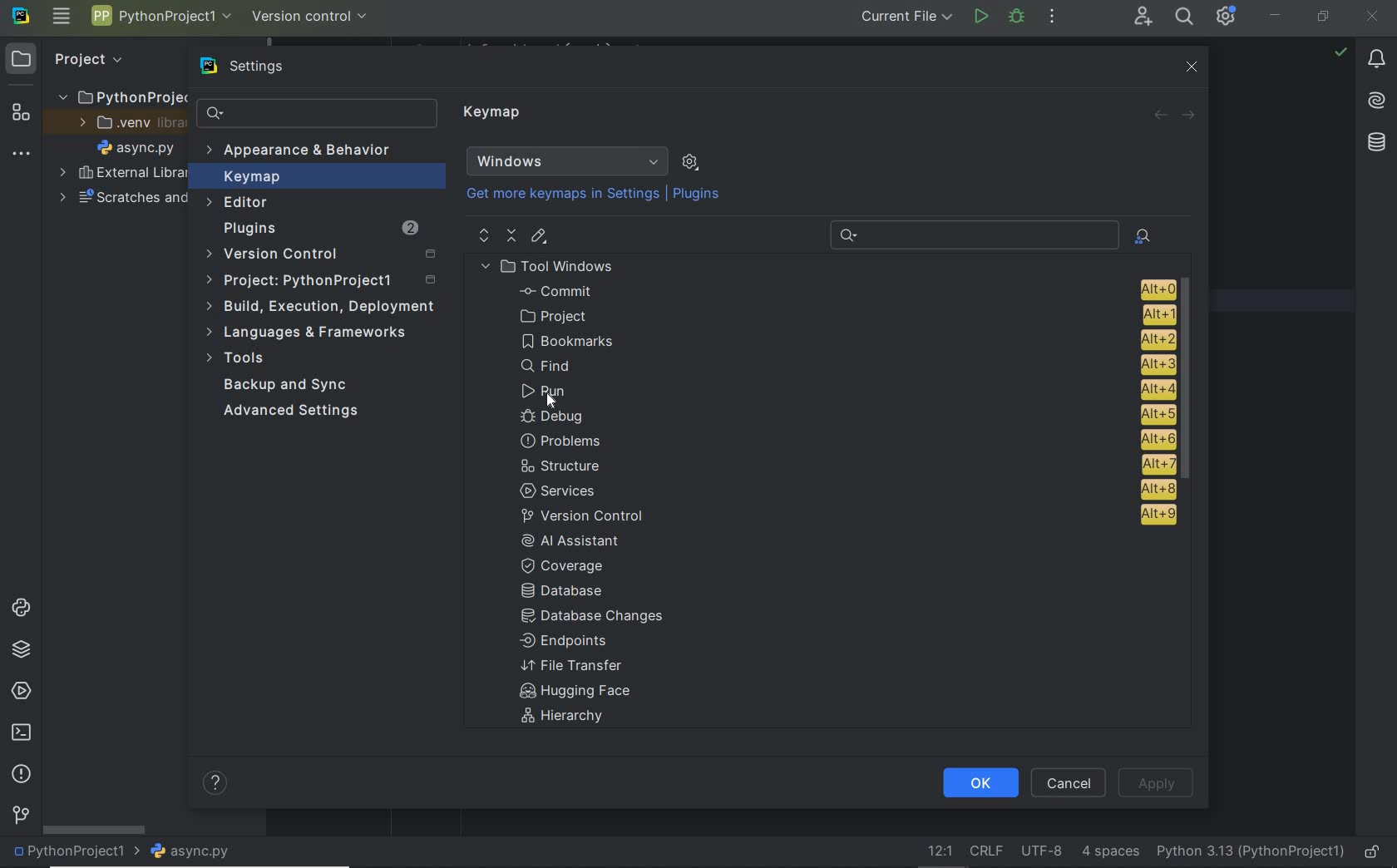 This screenshot has width=1397, height=868. What do you see at coordinates (565, 642) in the screenshot?
I see `Endpoints` at bounding box center [565, 642].